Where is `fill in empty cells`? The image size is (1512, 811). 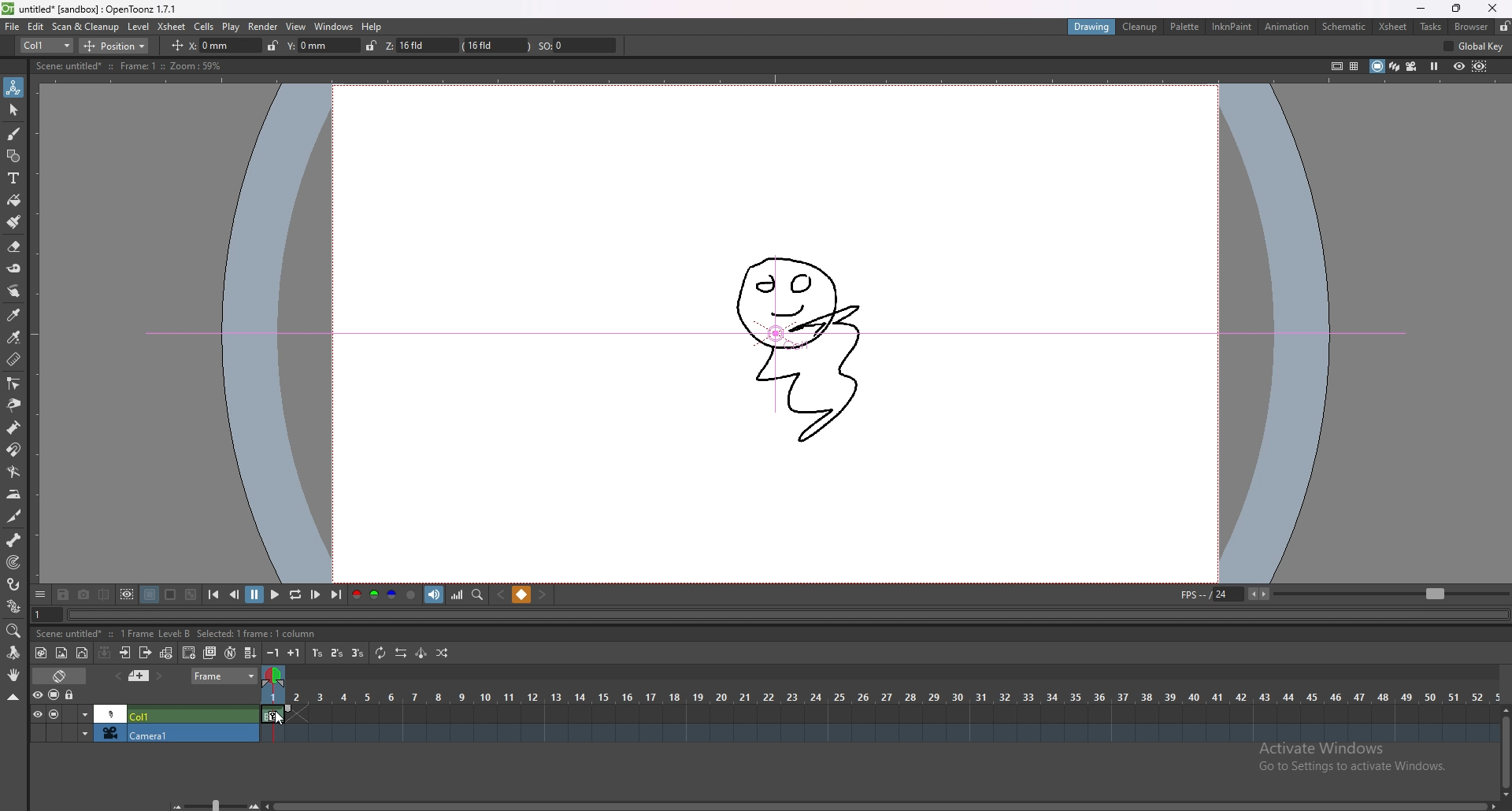 fill in empty cells is located at coordinates (253, 654).